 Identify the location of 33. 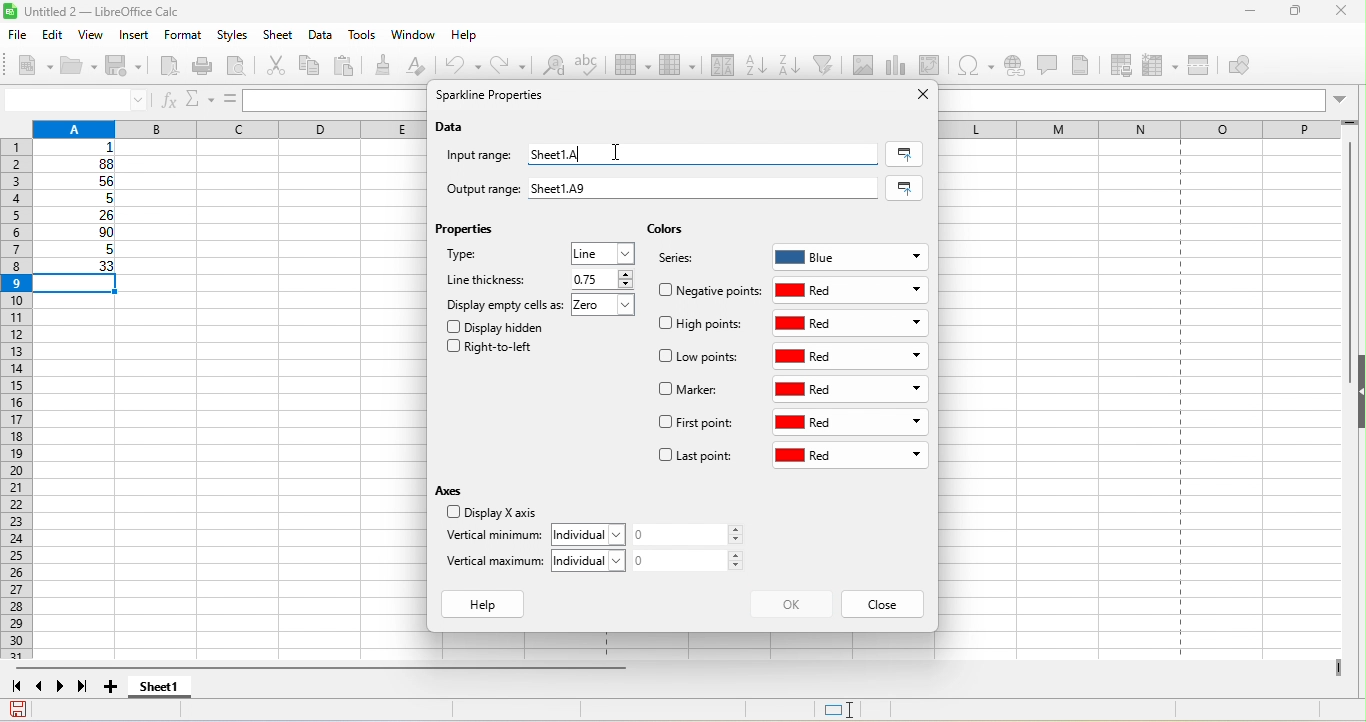
(78, 267).